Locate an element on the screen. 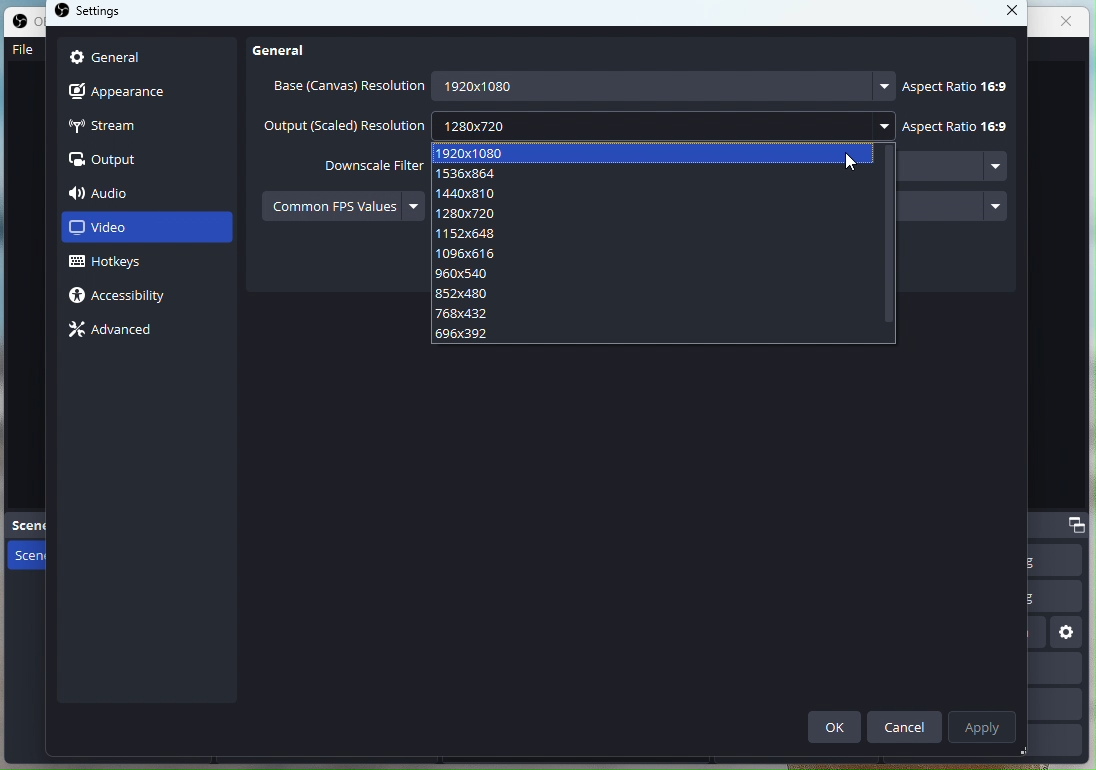 This screenshot has height=770, width=1096. File is located at coordinates (22, 54).